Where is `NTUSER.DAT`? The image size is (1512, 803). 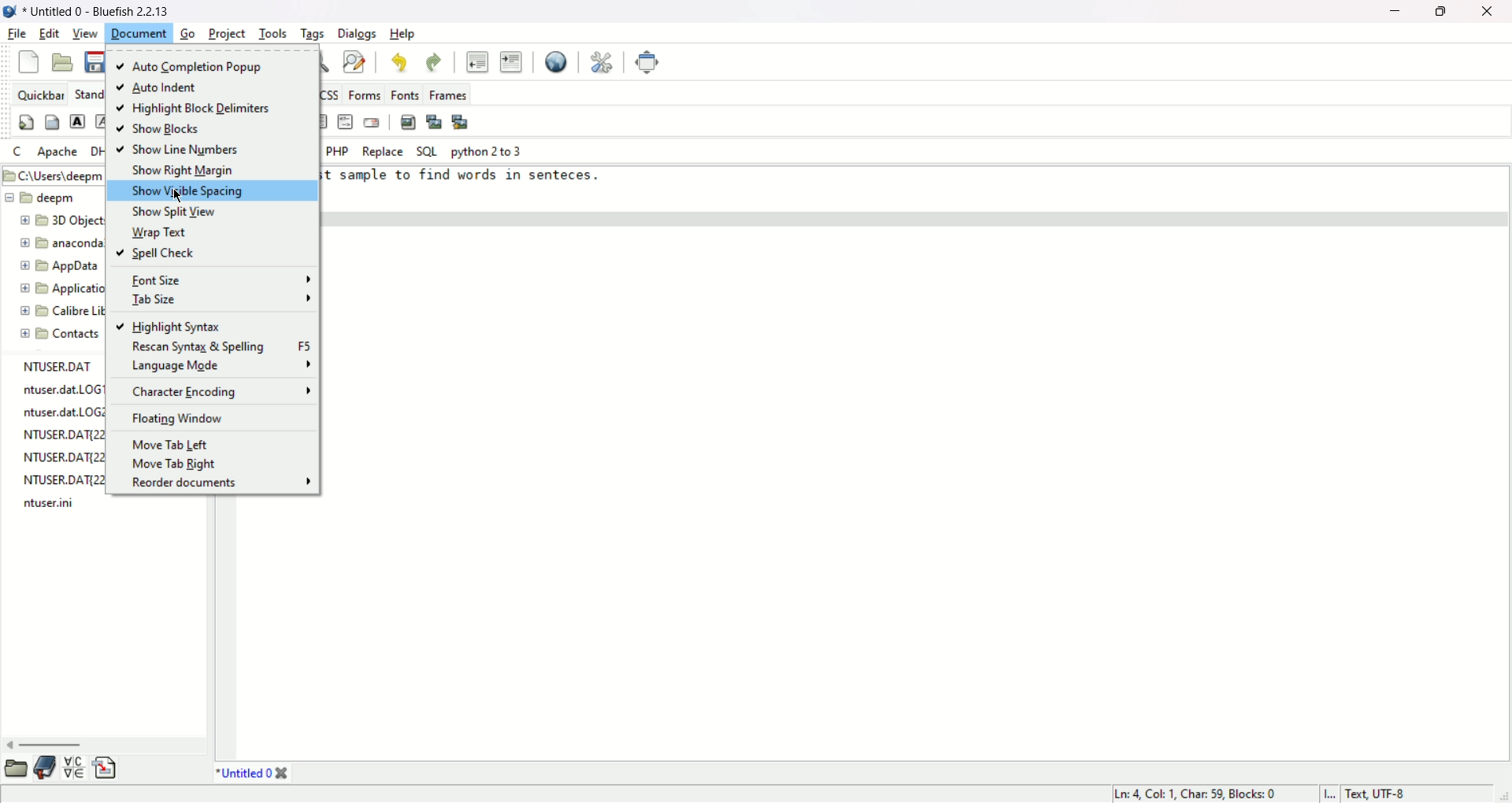
NTUSER.DAT is located at coordinates (61, 367).